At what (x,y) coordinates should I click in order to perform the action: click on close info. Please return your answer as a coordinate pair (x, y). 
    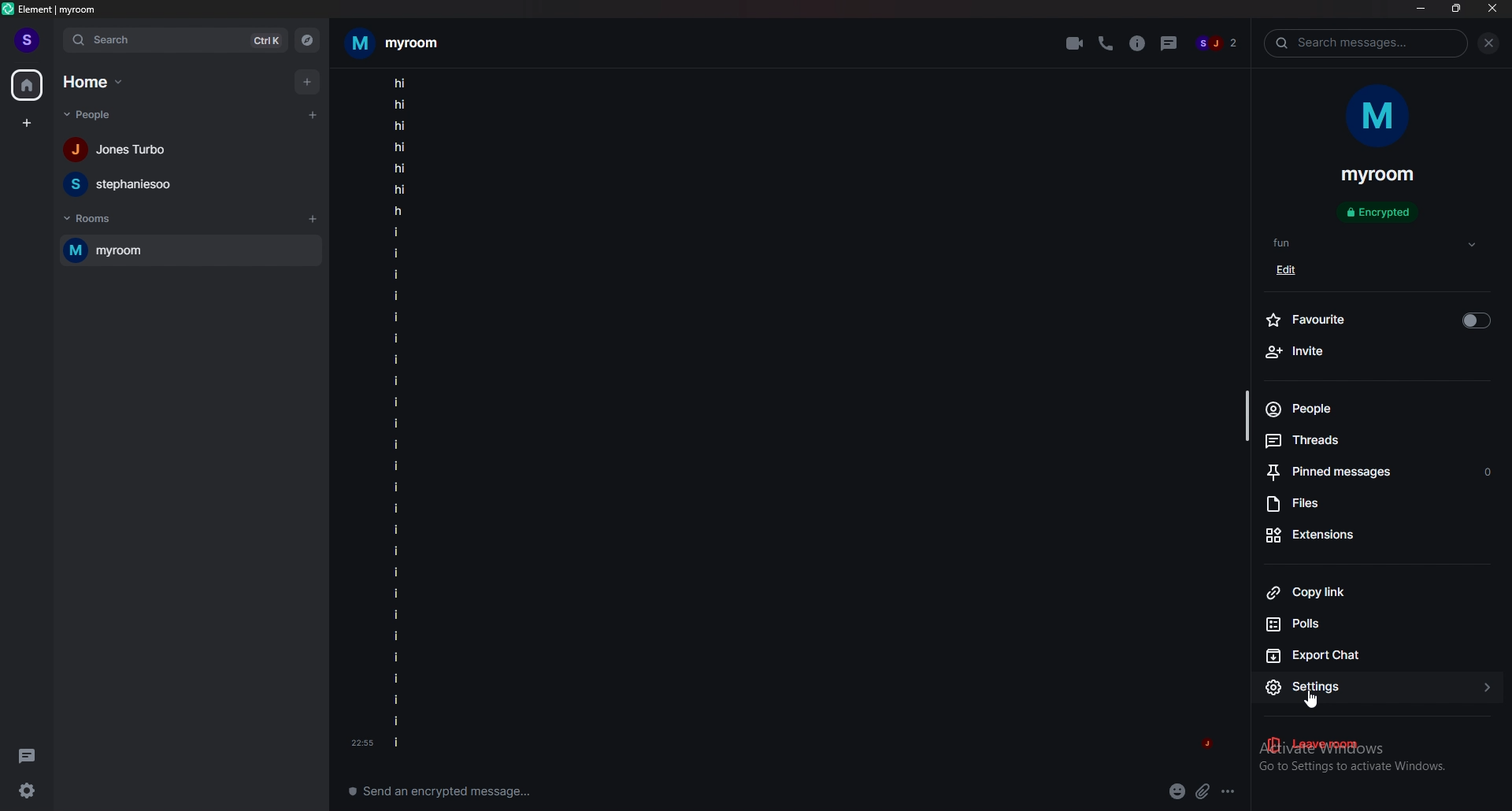
    Looking at the image, I should click on (1486, 43).